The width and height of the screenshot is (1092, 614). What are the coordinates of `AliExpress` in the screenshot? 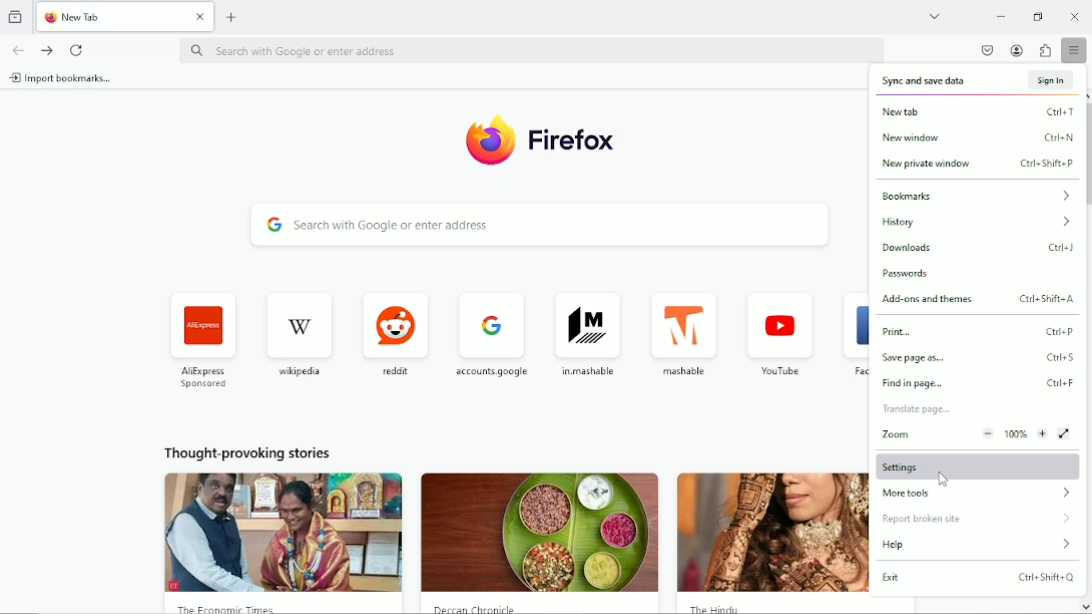 It's located at (202, 336).